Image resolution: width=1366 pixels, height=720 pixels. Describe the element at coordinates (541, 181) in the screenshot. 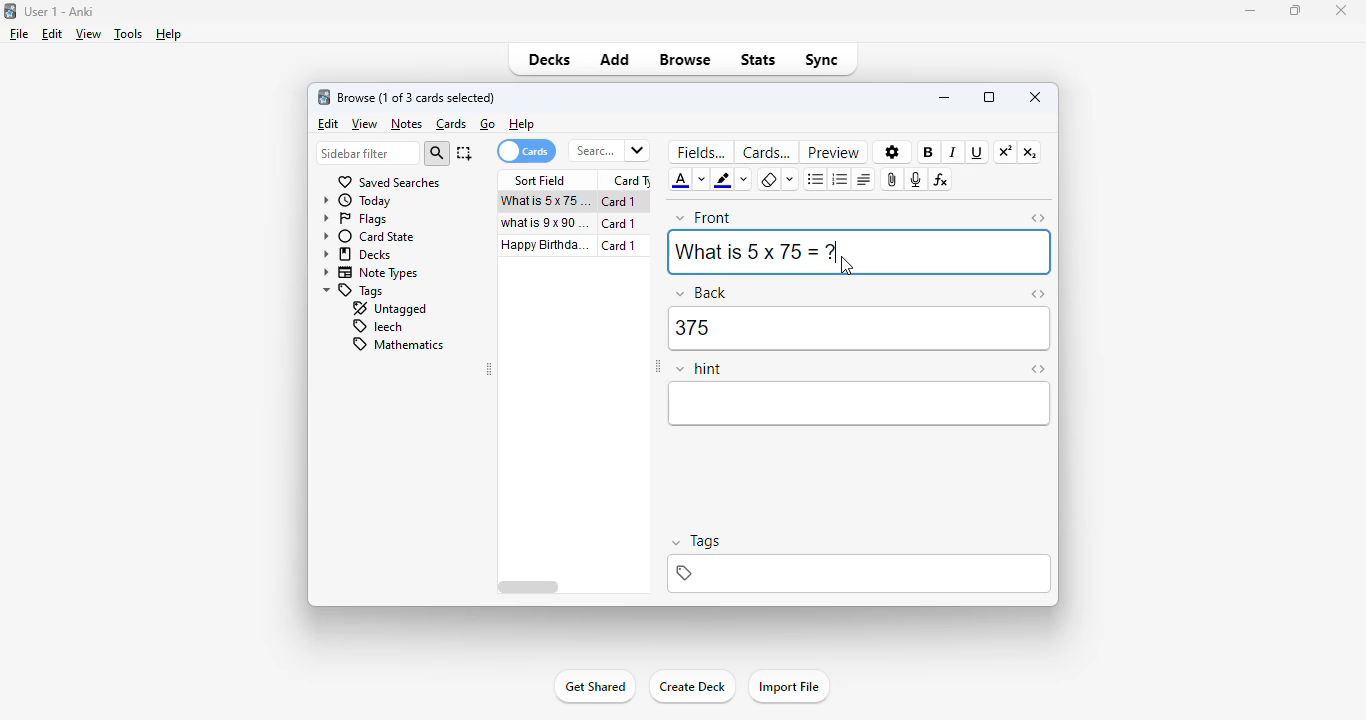

I see `sort field` at that location.